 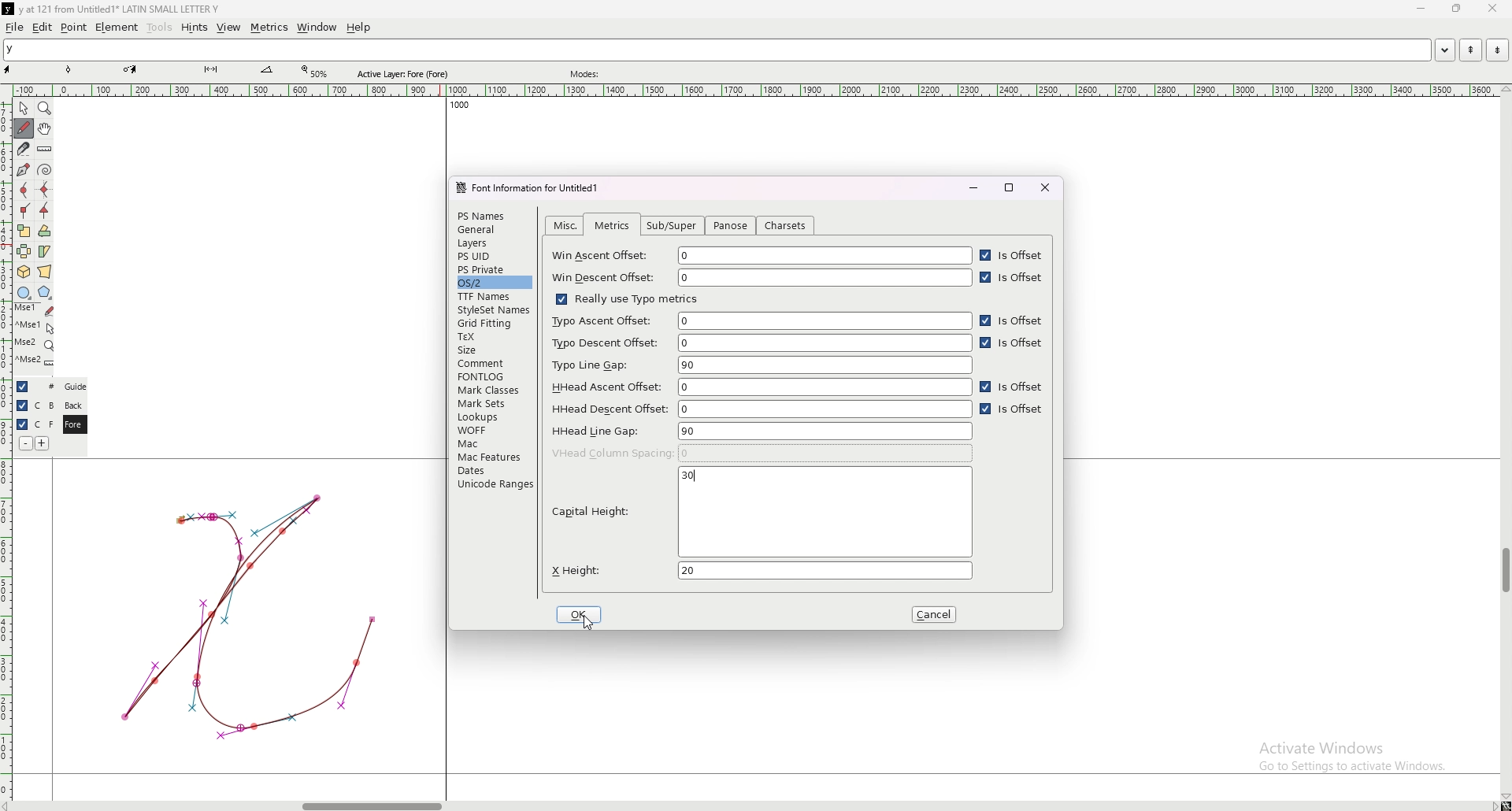 I want to click on point, so click(x=74, y=27).